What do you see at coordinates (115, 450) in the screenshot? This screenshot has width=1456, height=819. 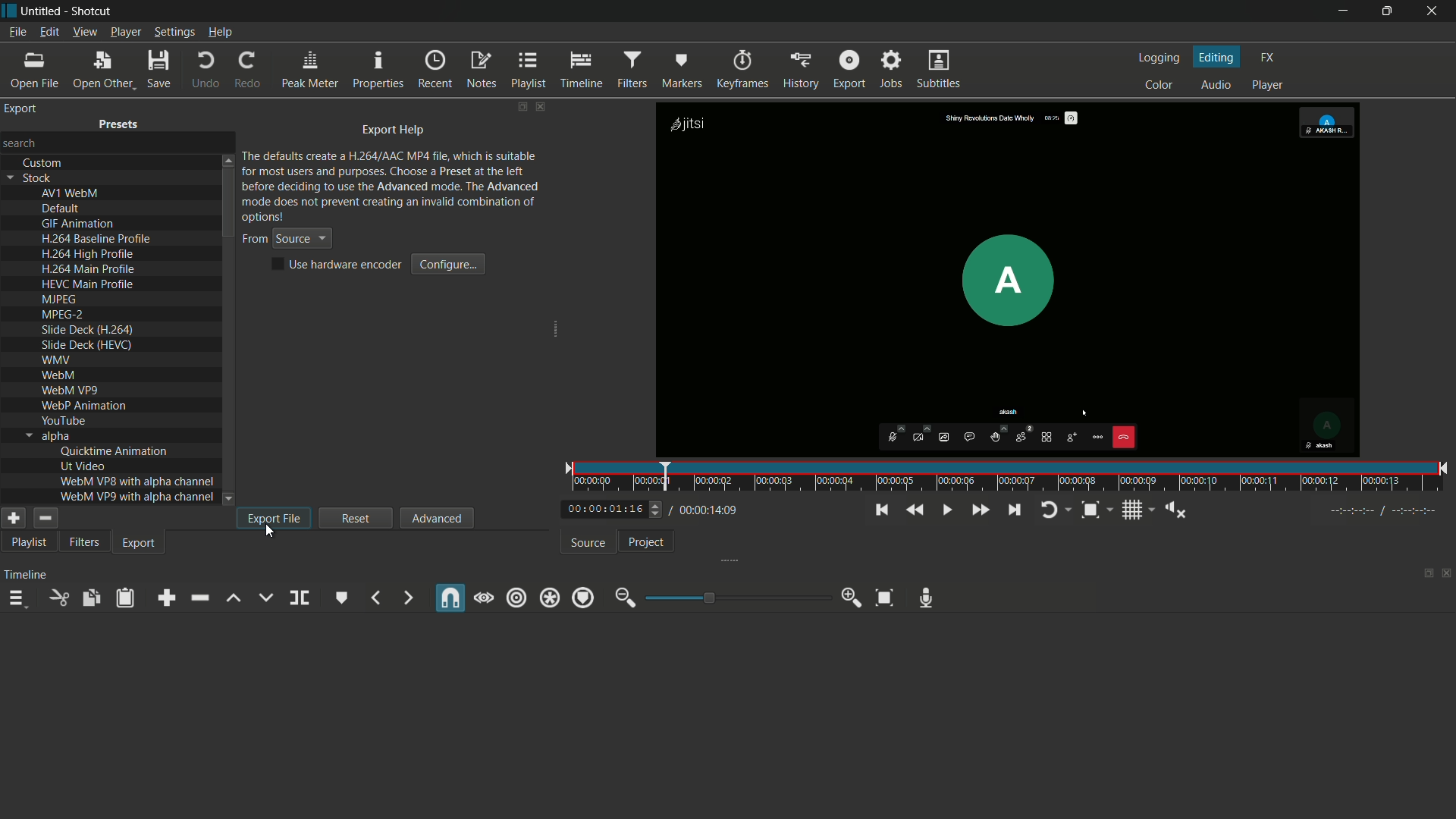 I see `text` at bounding box center [115, 450].